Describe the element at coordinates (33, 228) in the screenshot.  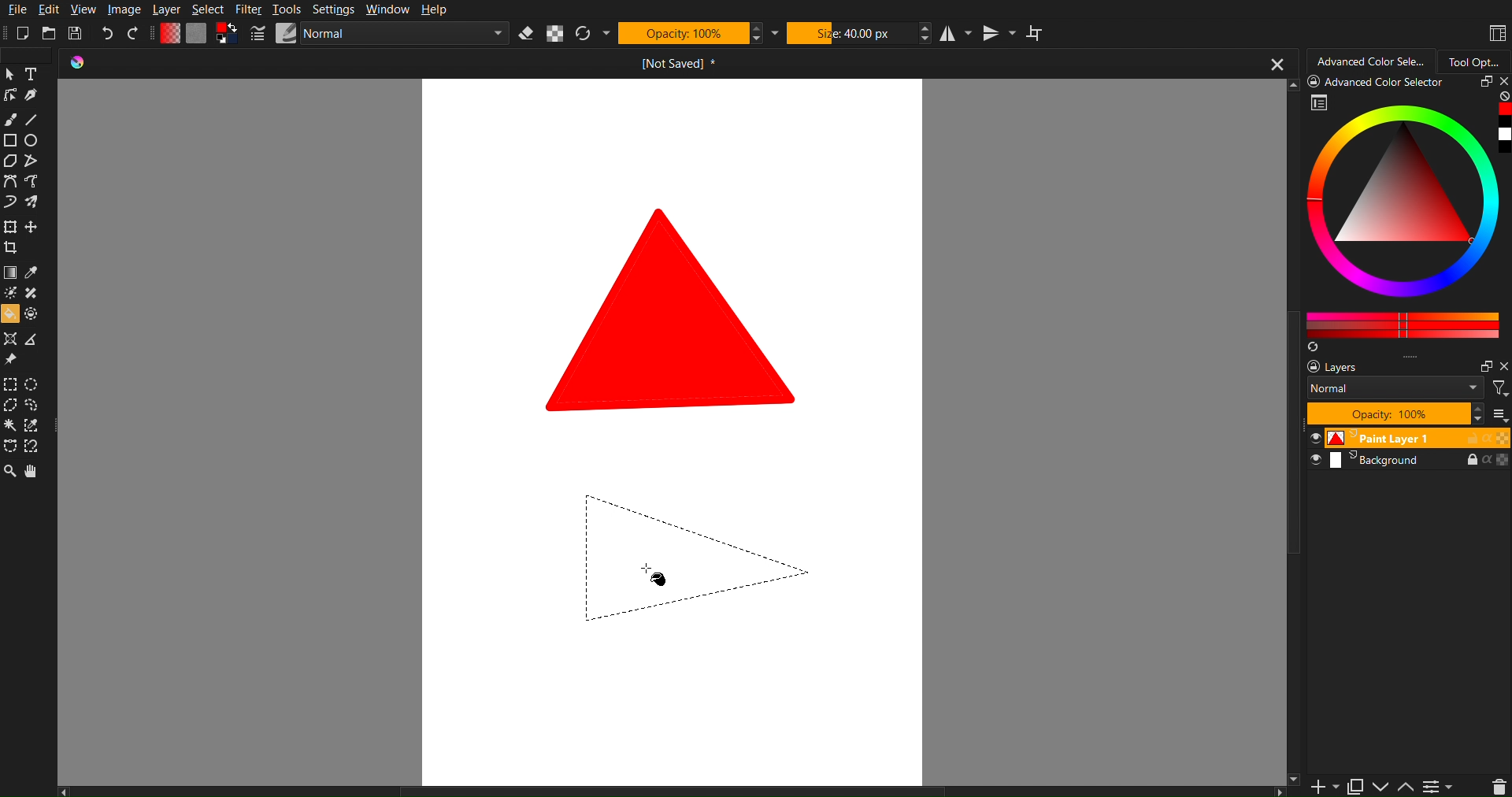
I see `Create` at that location.